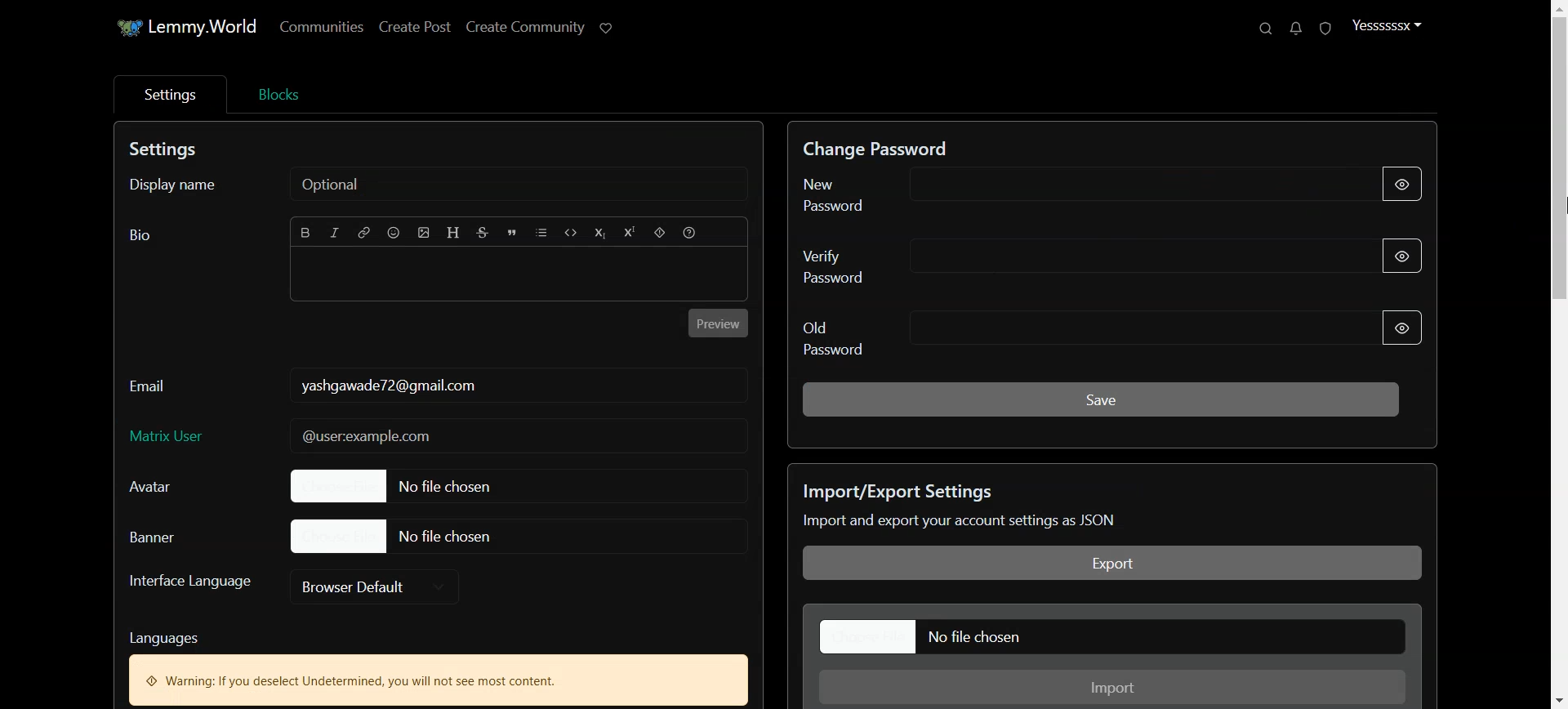 The height and width of the screenshot is (709, 1568). What do you see at coordinates (512, 233) in the screenshot?
I see `Quote` at bounding box center [512, 233].